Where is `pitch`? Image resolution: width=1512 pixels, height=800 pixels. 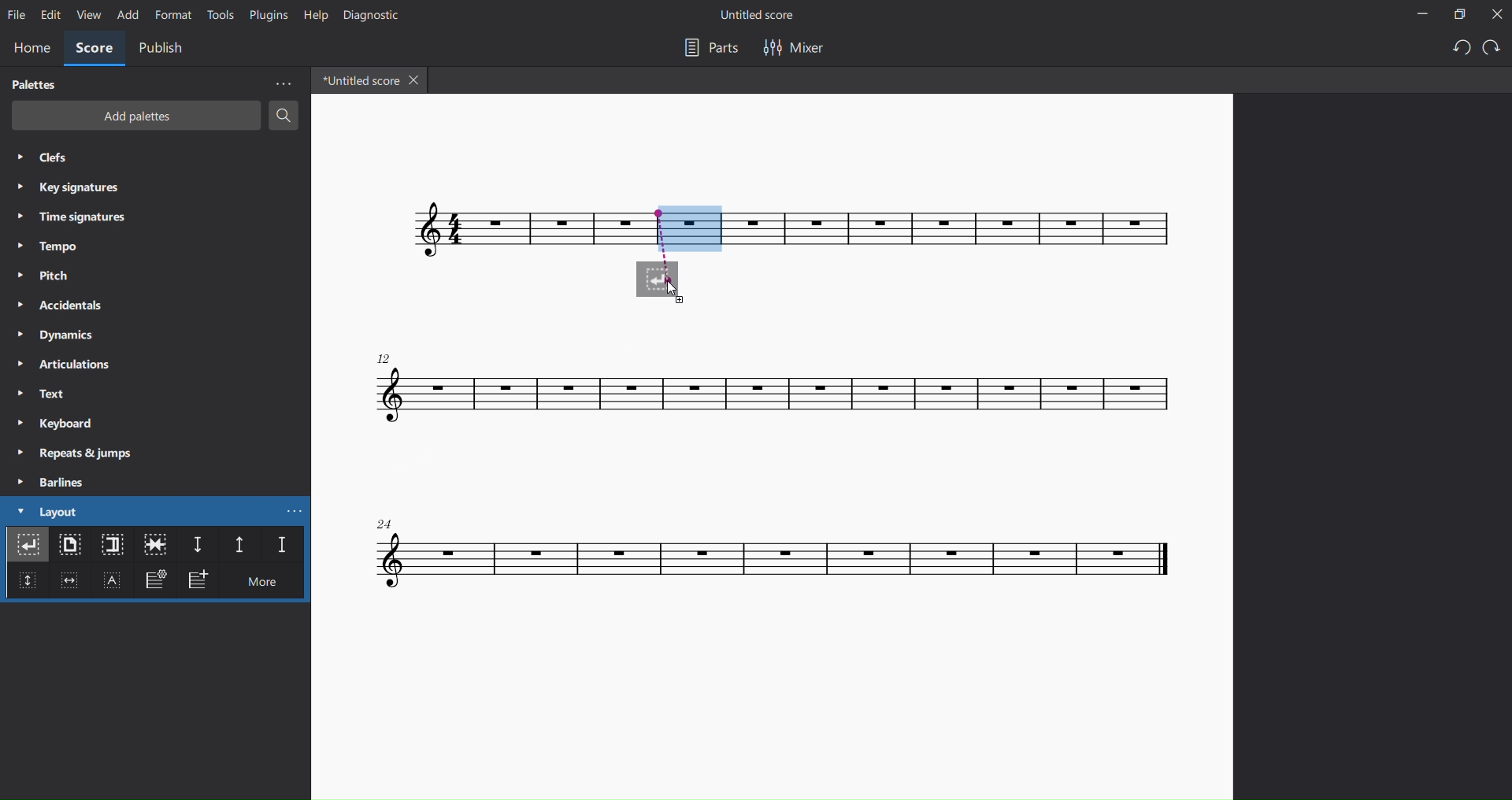
pitch is located at coordinates (50, 276).